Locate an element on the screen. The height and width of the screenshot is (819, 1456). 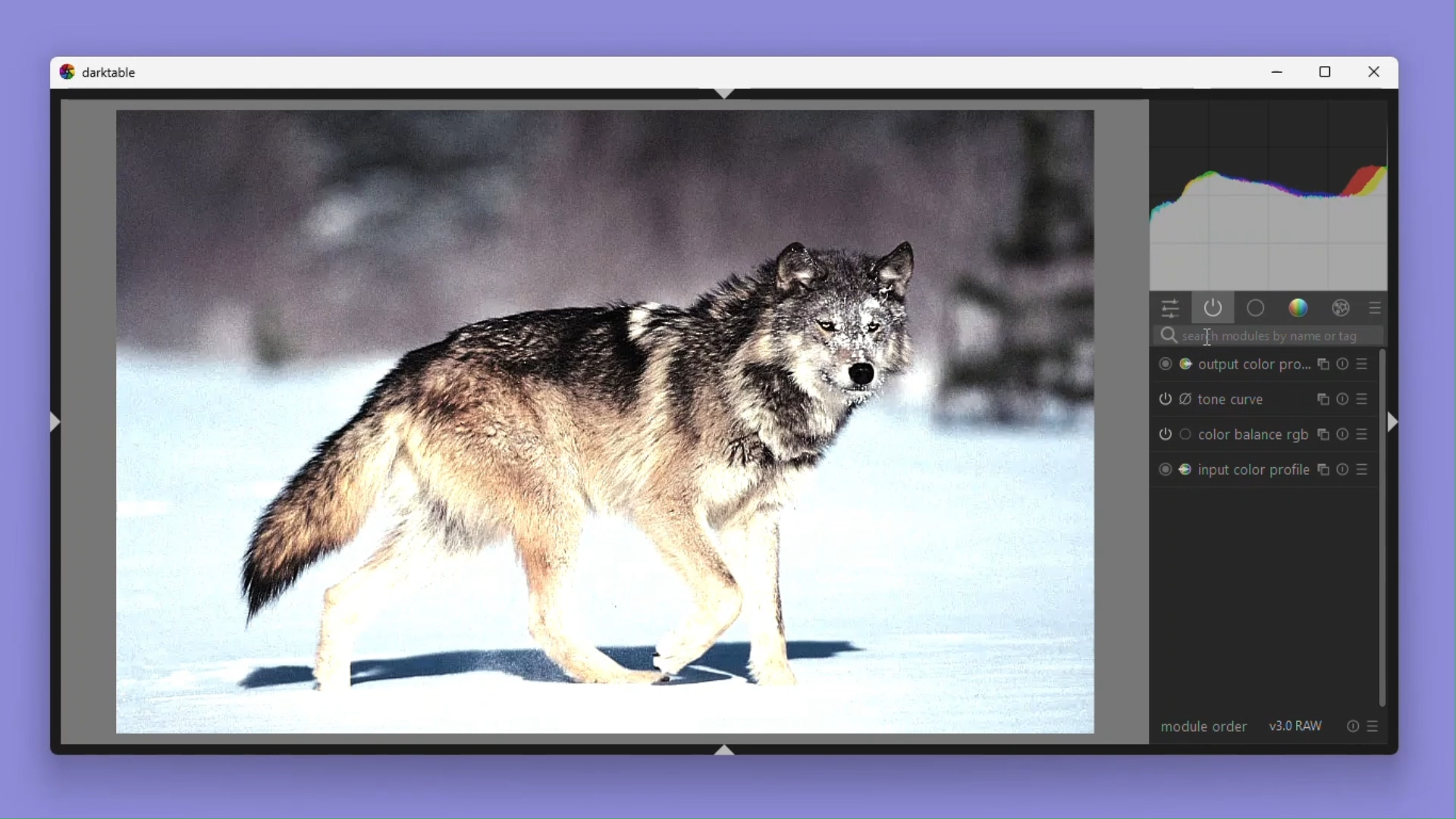
Effect is located at coordinates (1342, 309).